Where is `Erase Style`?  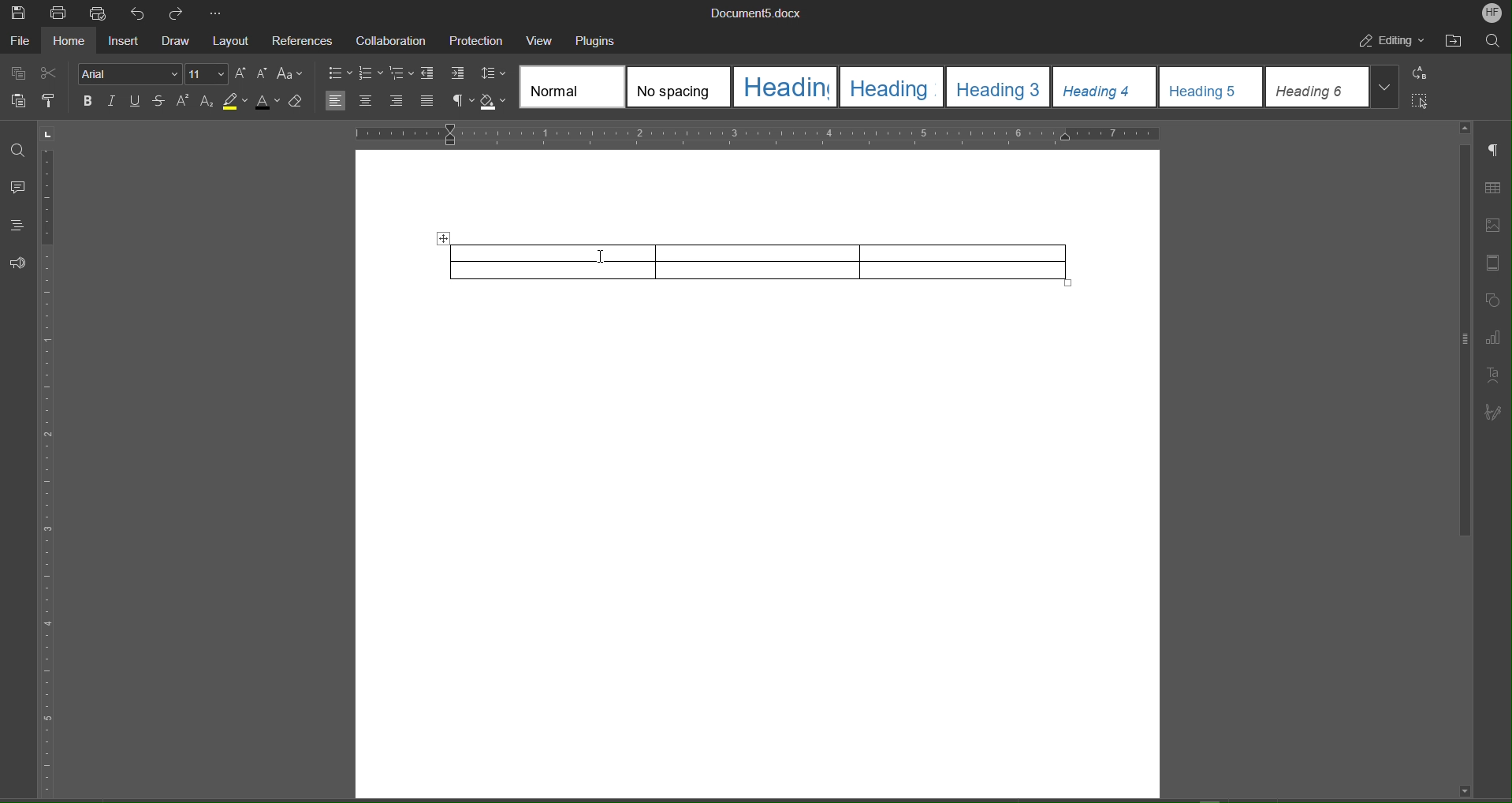
Erase Style is located at coordinates (298, 101).